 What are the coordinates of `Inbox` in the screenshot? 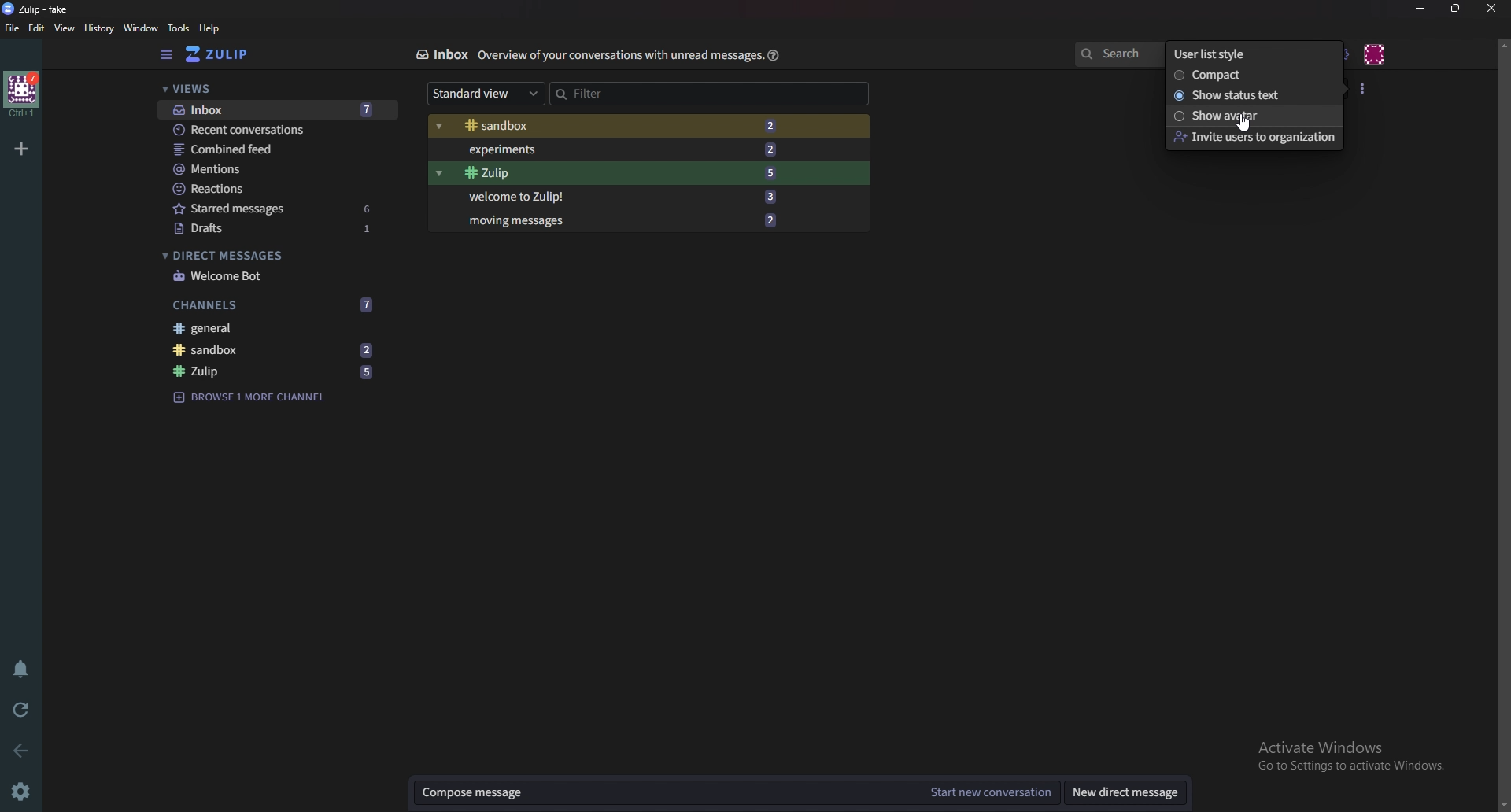 It's located at (279, 110).